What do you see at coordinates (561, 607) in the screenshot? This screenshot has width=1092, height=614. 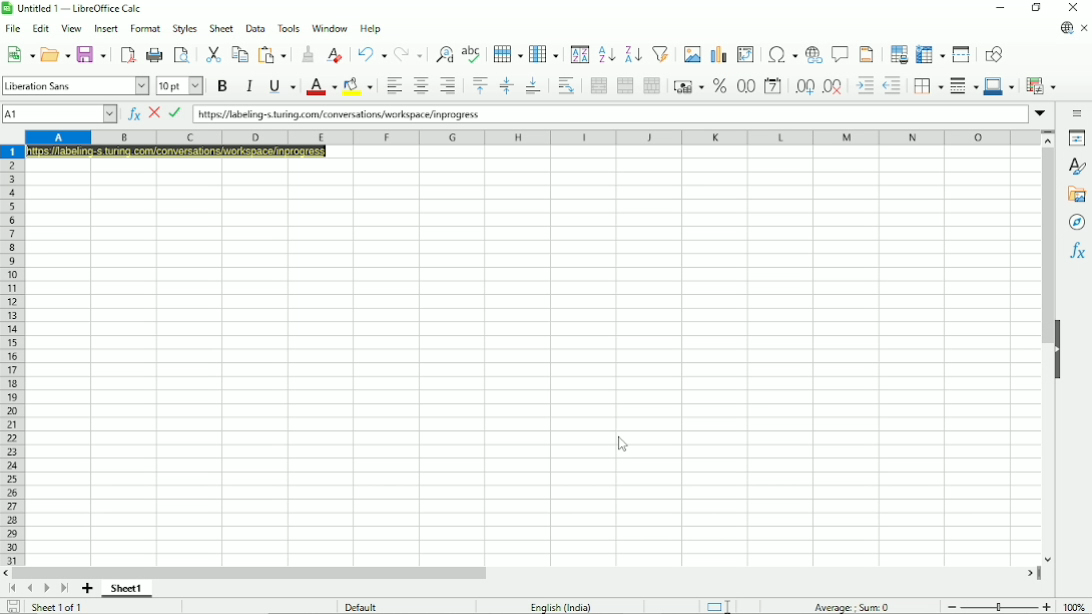 I see `English (India)` at bounding box center [561, 607].